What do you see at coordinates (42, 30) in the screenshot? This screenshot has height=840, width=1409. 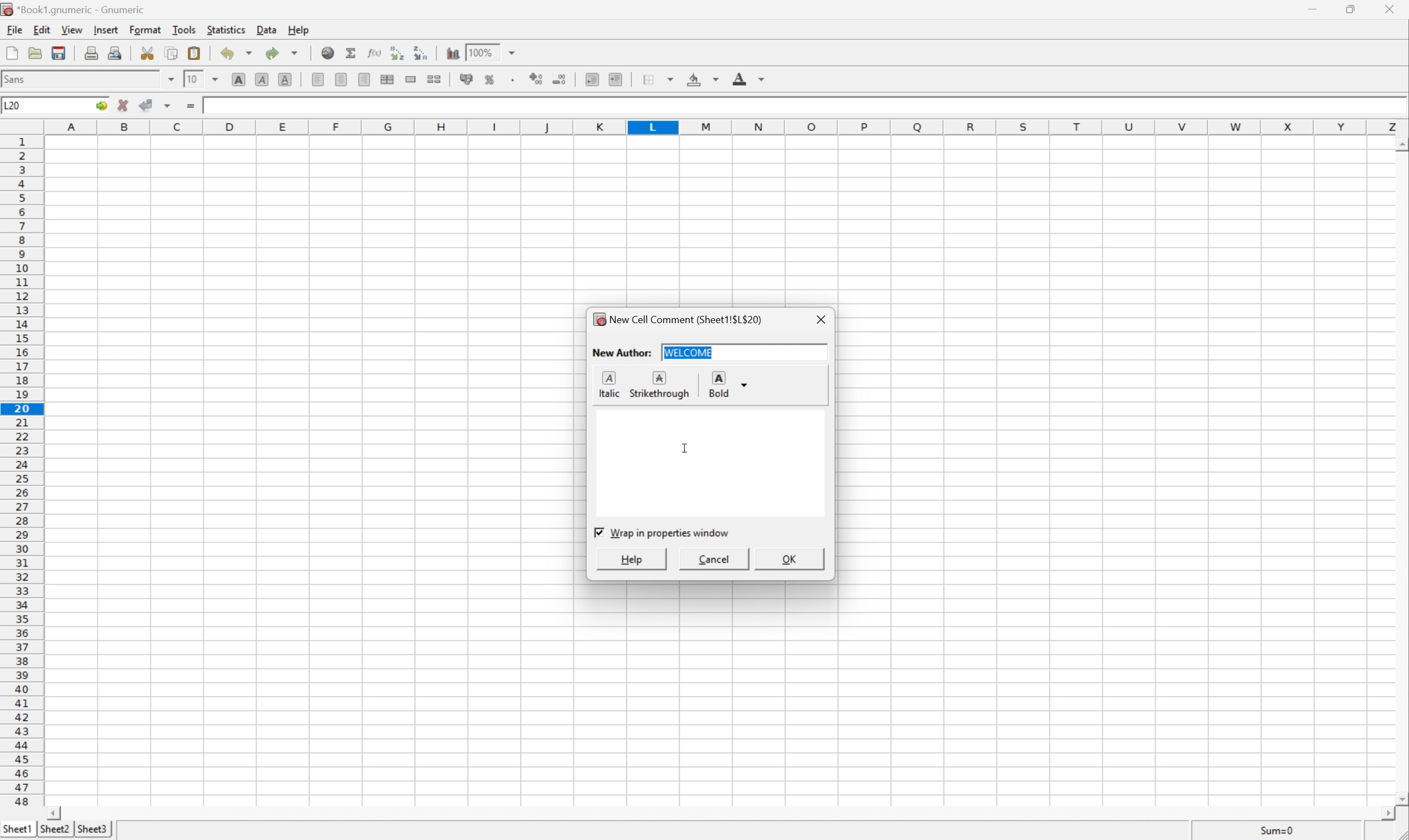 I see `Edit` at bounding box center [42, 30].